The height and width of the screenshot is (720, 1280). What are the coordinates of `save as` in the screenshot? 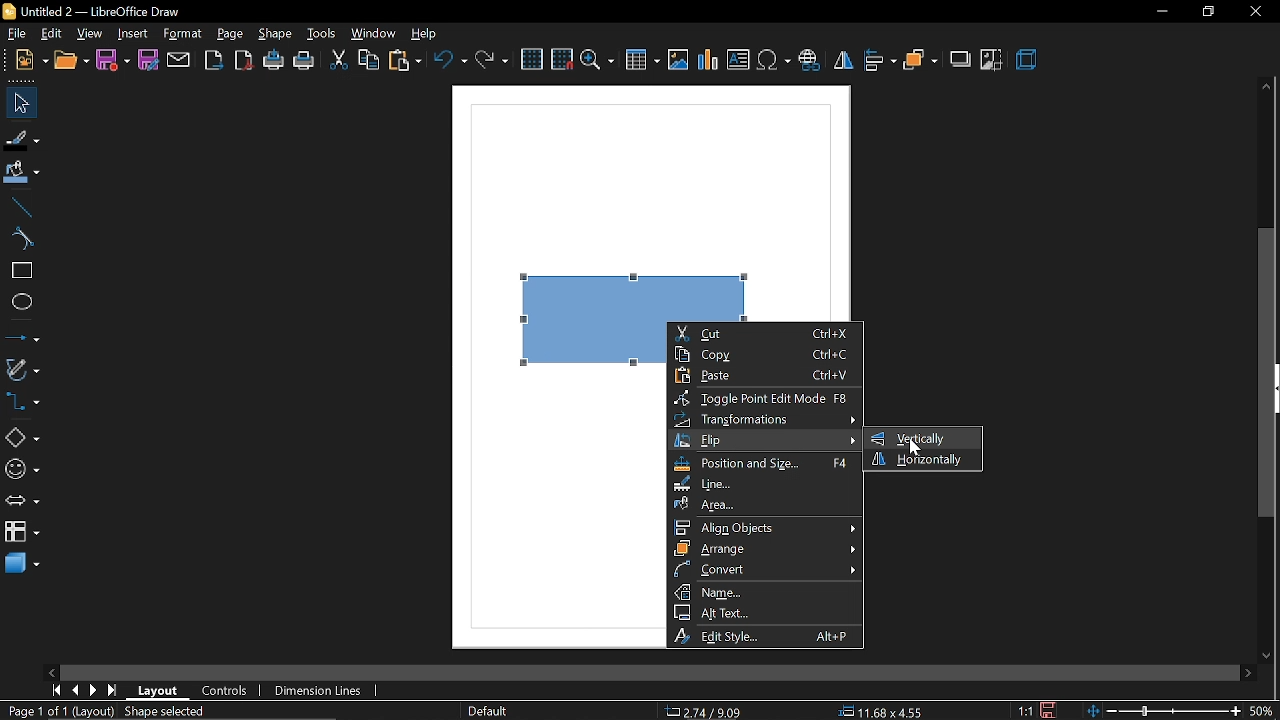 It's located at (149, 61).